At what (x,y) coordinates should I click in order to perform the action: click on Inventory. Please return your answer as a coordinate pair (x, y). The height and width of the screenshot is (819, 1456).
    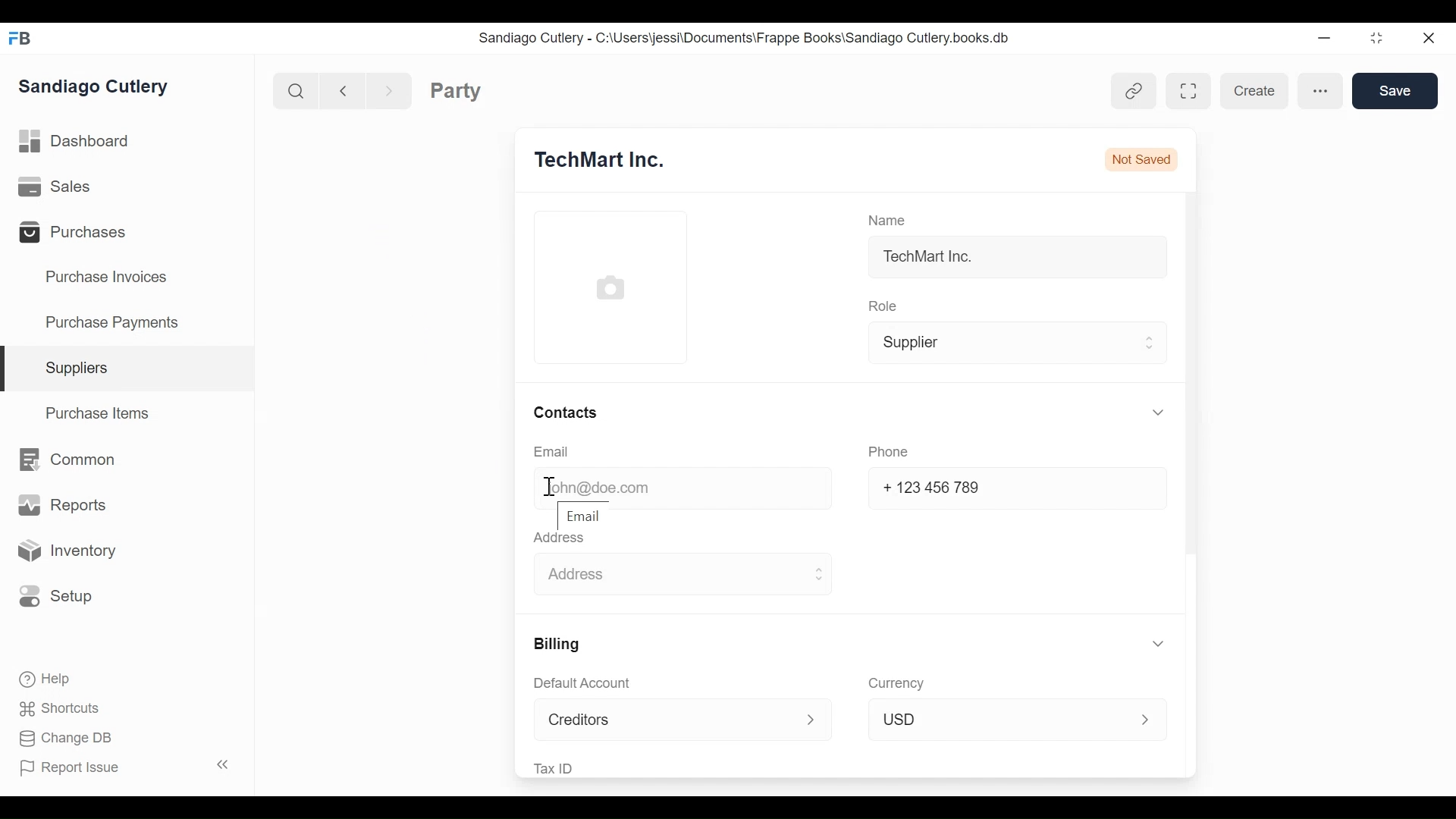
    Looking at the image, I should click on (74, 551).